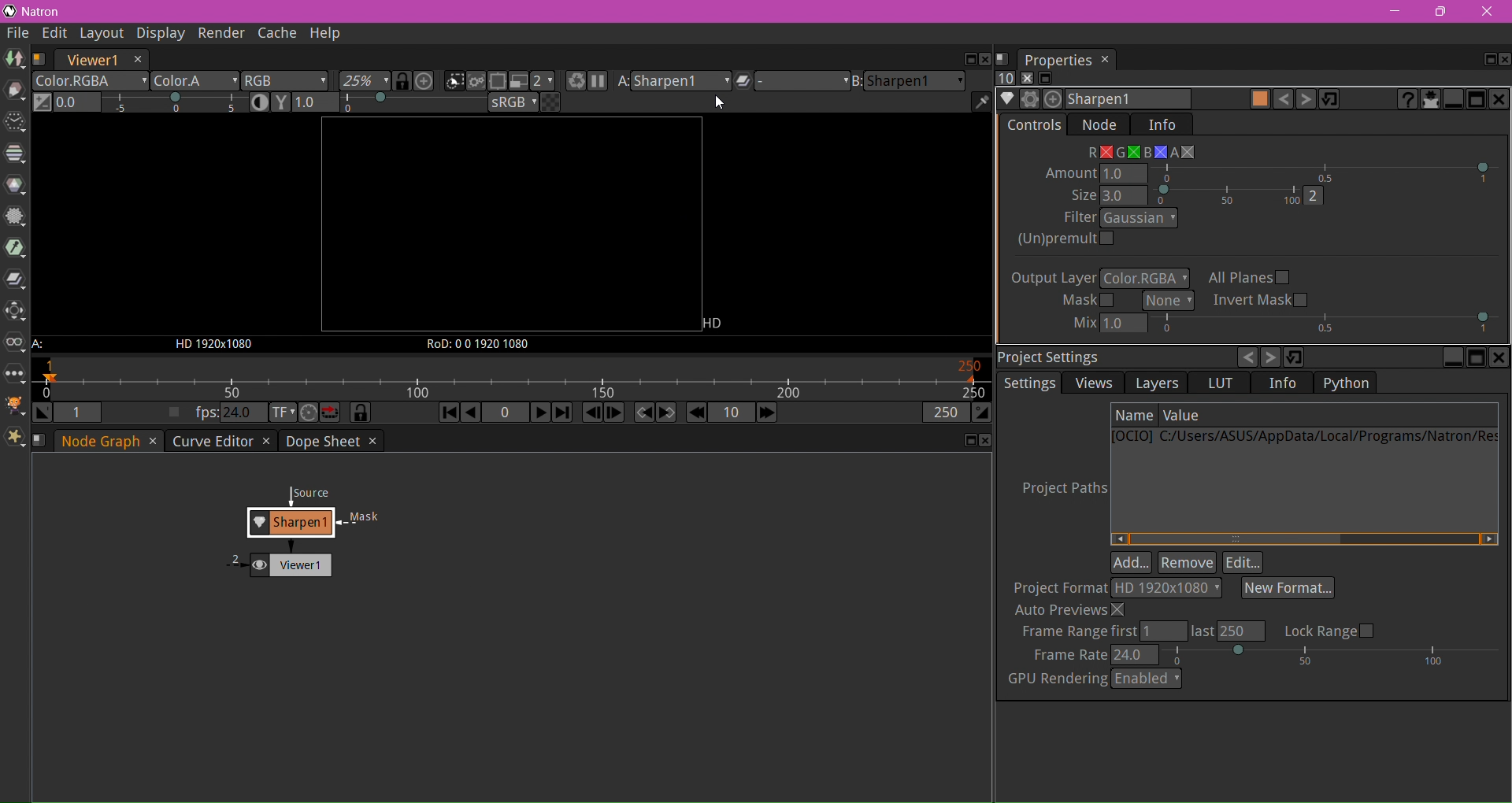 The width and height of the screenshot is (1512, 803). Describe the element at coordinates (789, 83) in the screenshot. I see `The operator applied between viewer inputs A and B` at that location.